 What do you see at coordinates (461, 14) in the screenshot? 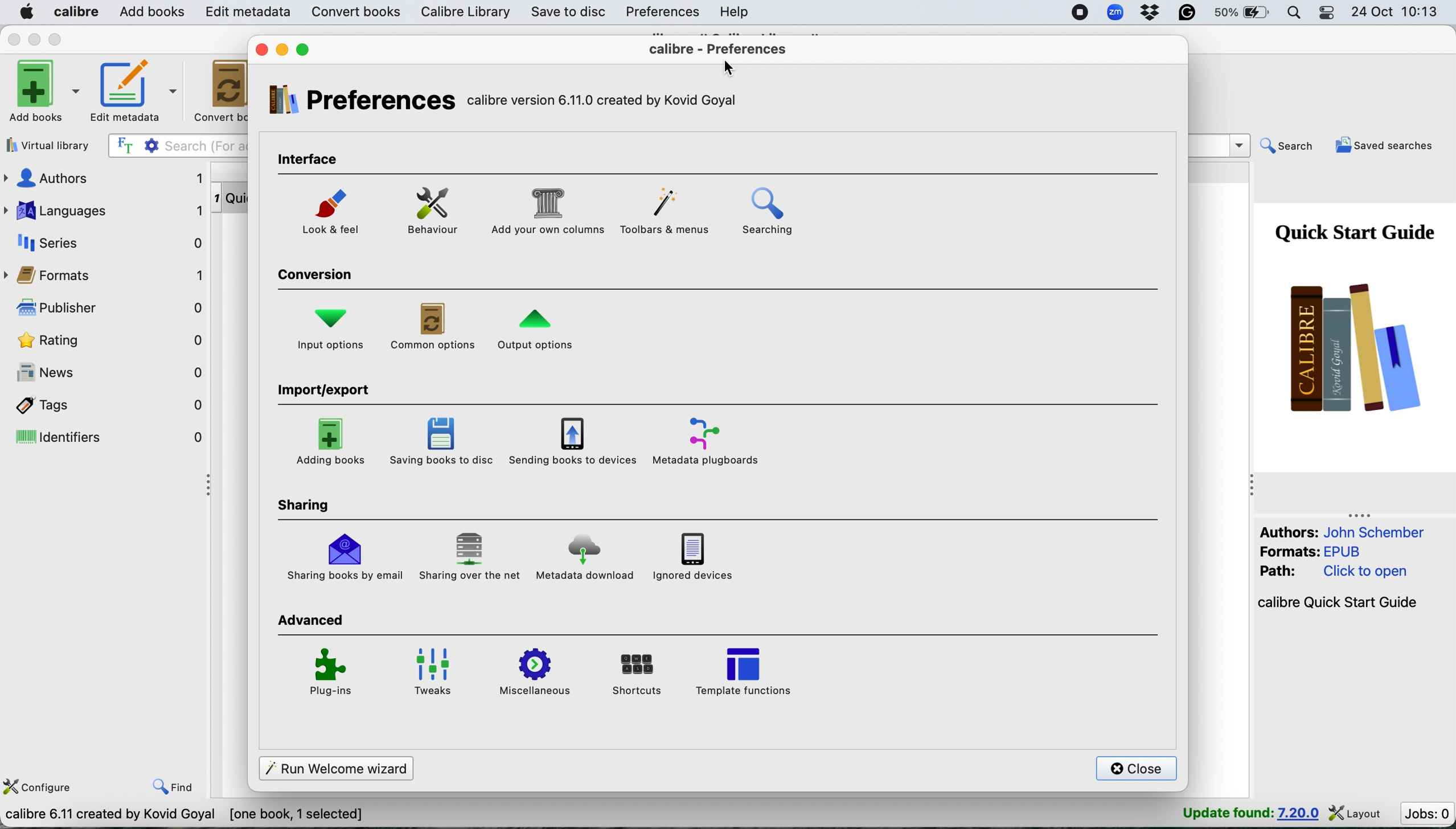
I see `calibre library` at bounding box center [461, 14].